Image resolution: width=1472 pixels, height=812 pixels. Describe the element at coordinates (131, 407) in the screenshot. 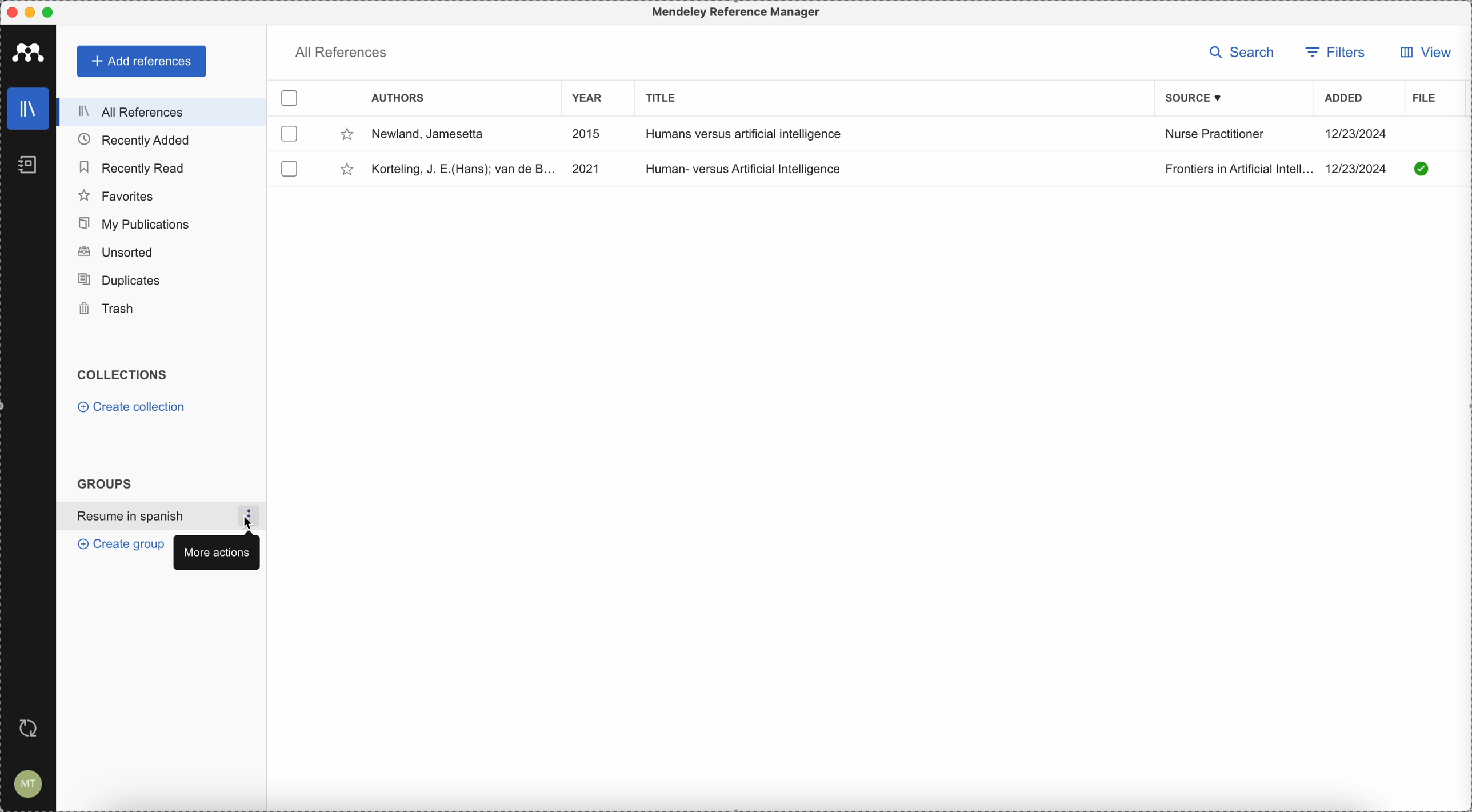

I see `create collection` at that location.